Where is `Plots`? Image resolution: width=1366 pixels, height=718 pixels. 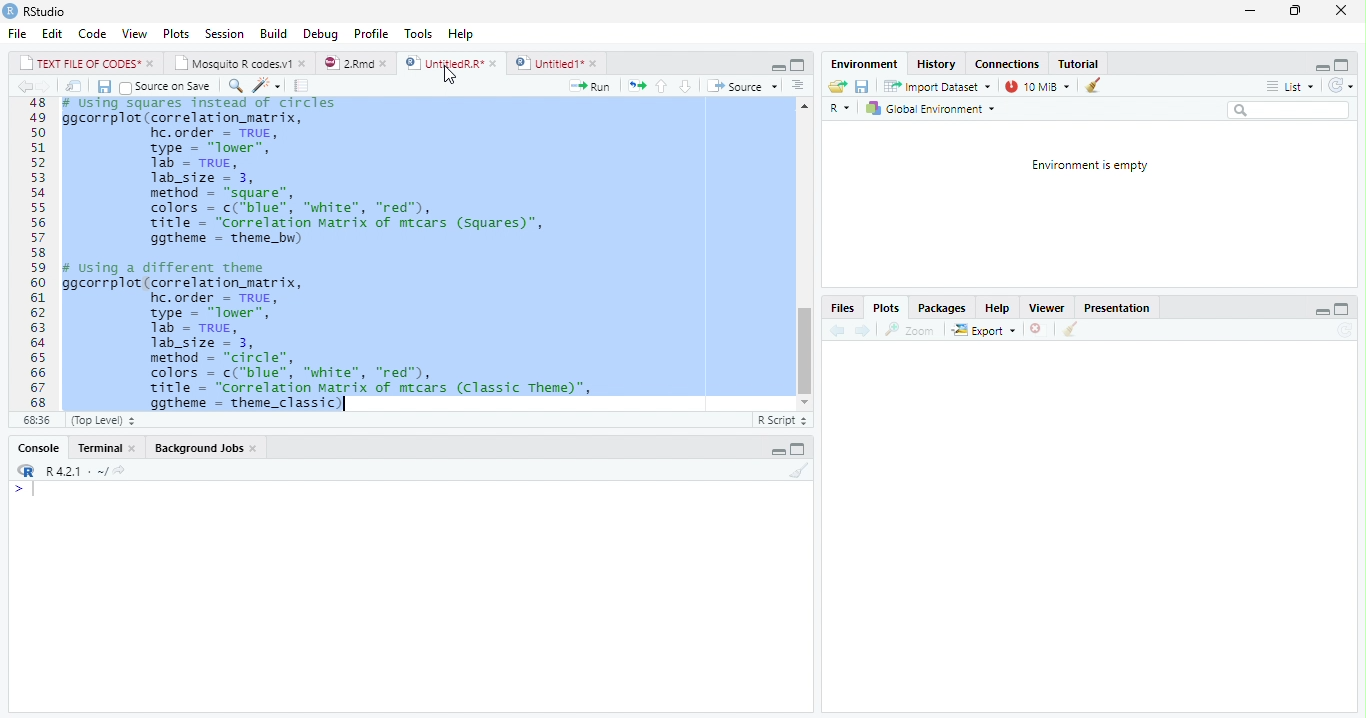 Plots is located at coordinates (176, 34).